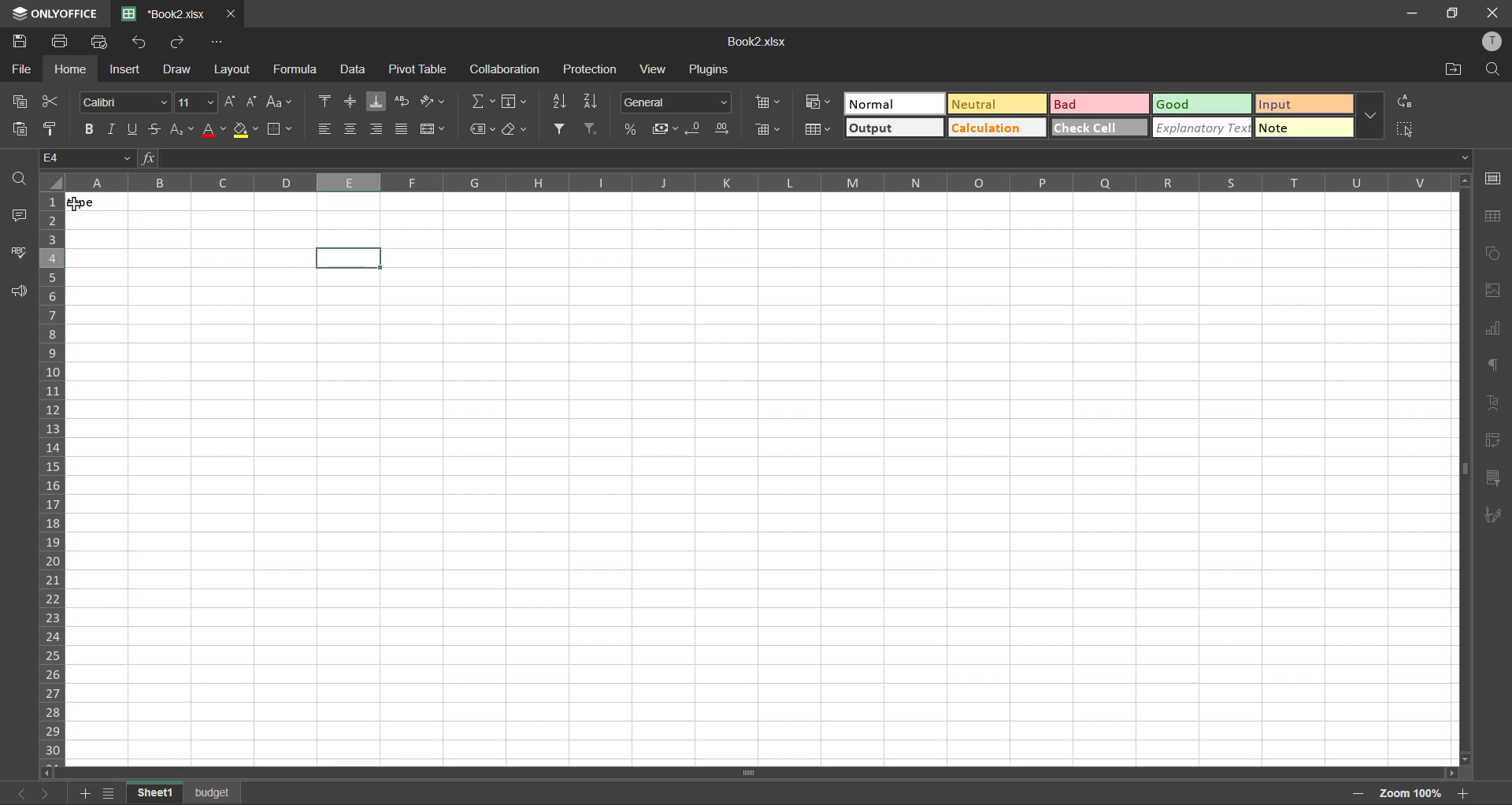 The width and height of the screenshot is (1512, 805). What do you see at coordinates (1495, 39) in the screenshot?
I see `profile` at bounding box center [1495, 39].